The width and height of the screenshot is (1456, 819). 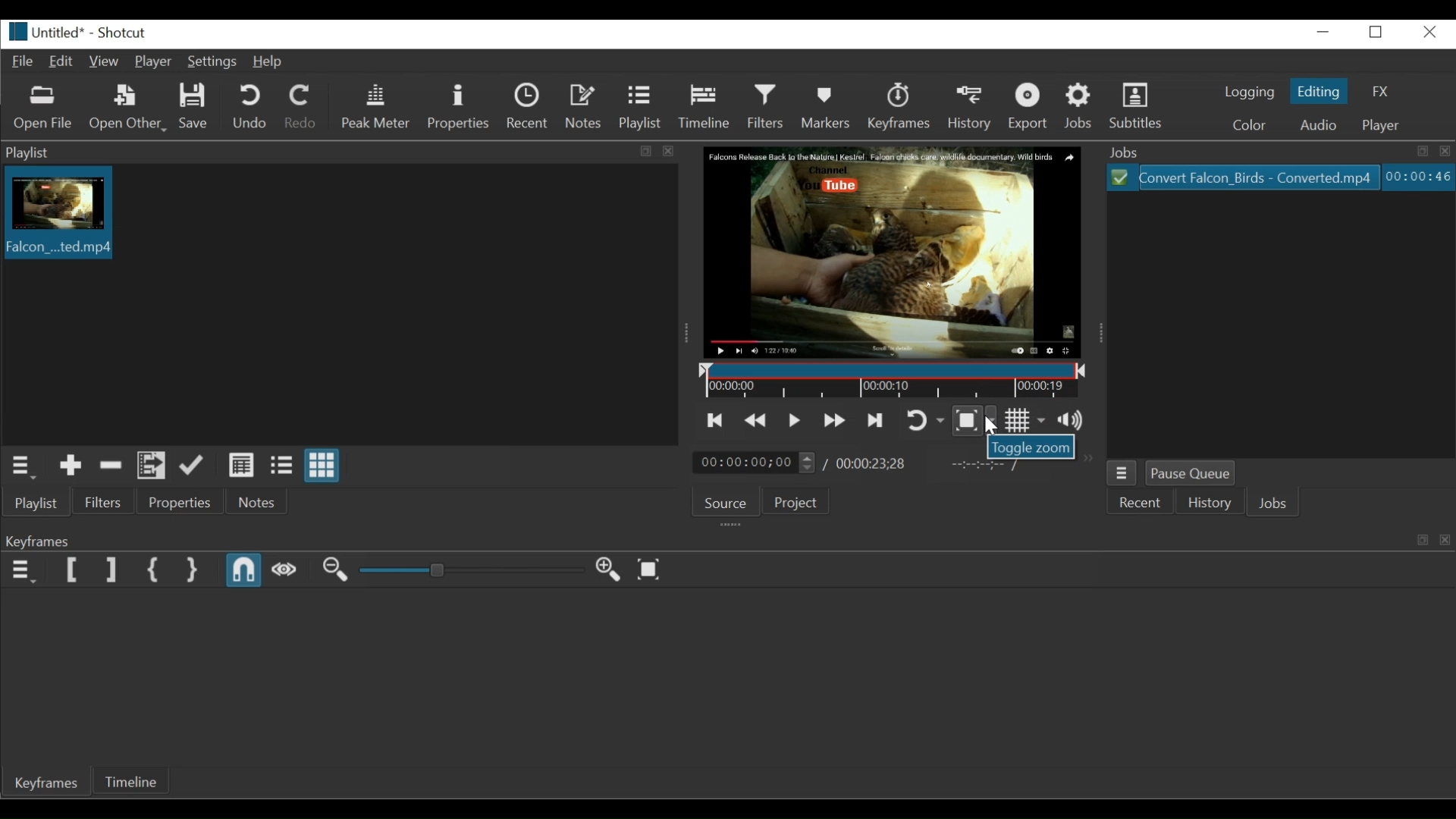 What do you see at coordinates (1418, 177) in the screenshot?
I see `Elapsed Hours: Minutes: Seconds` at bounding box center [1418, 177].